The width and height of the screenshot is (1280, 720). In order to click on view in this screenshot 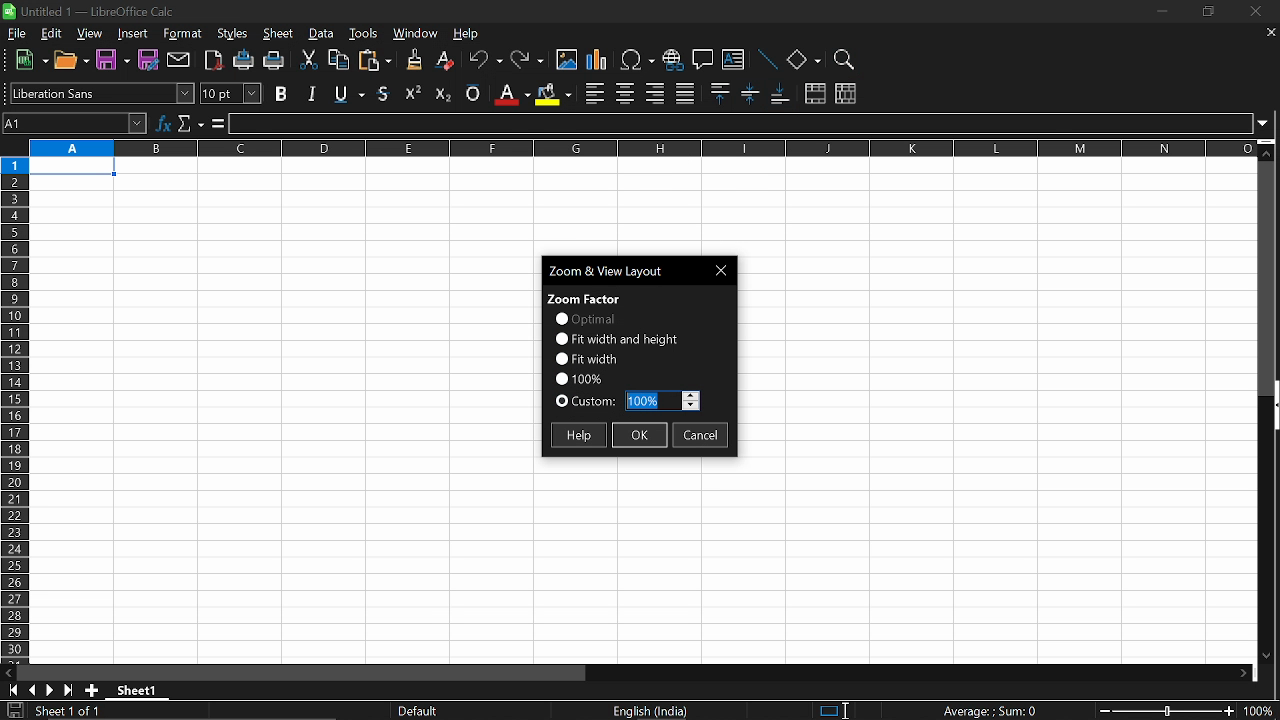, I will do `click(91, 35)`.